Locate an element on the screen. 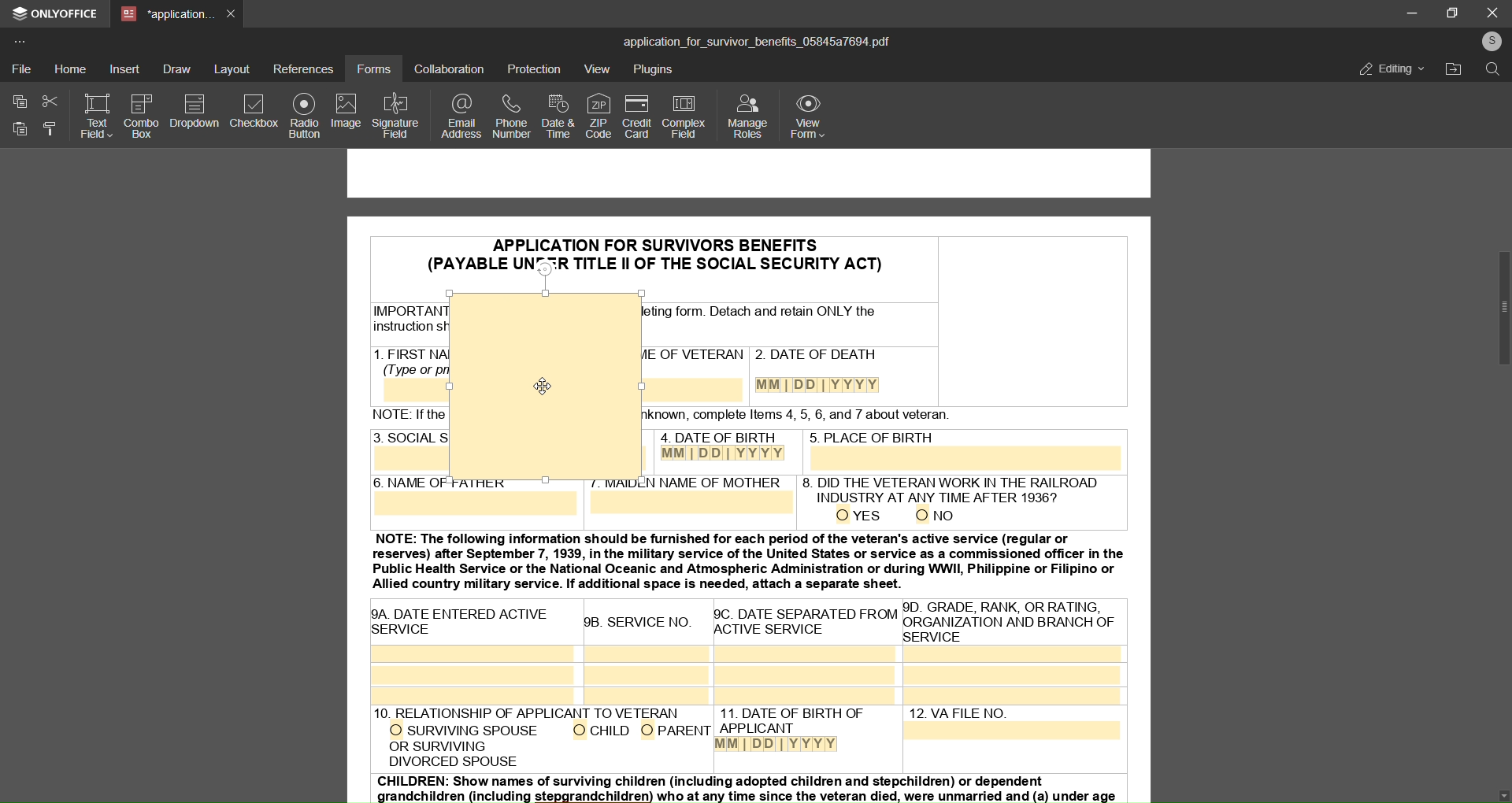 This screenshot has height=803, width=1512. layout is located at coordinates (233, 68).